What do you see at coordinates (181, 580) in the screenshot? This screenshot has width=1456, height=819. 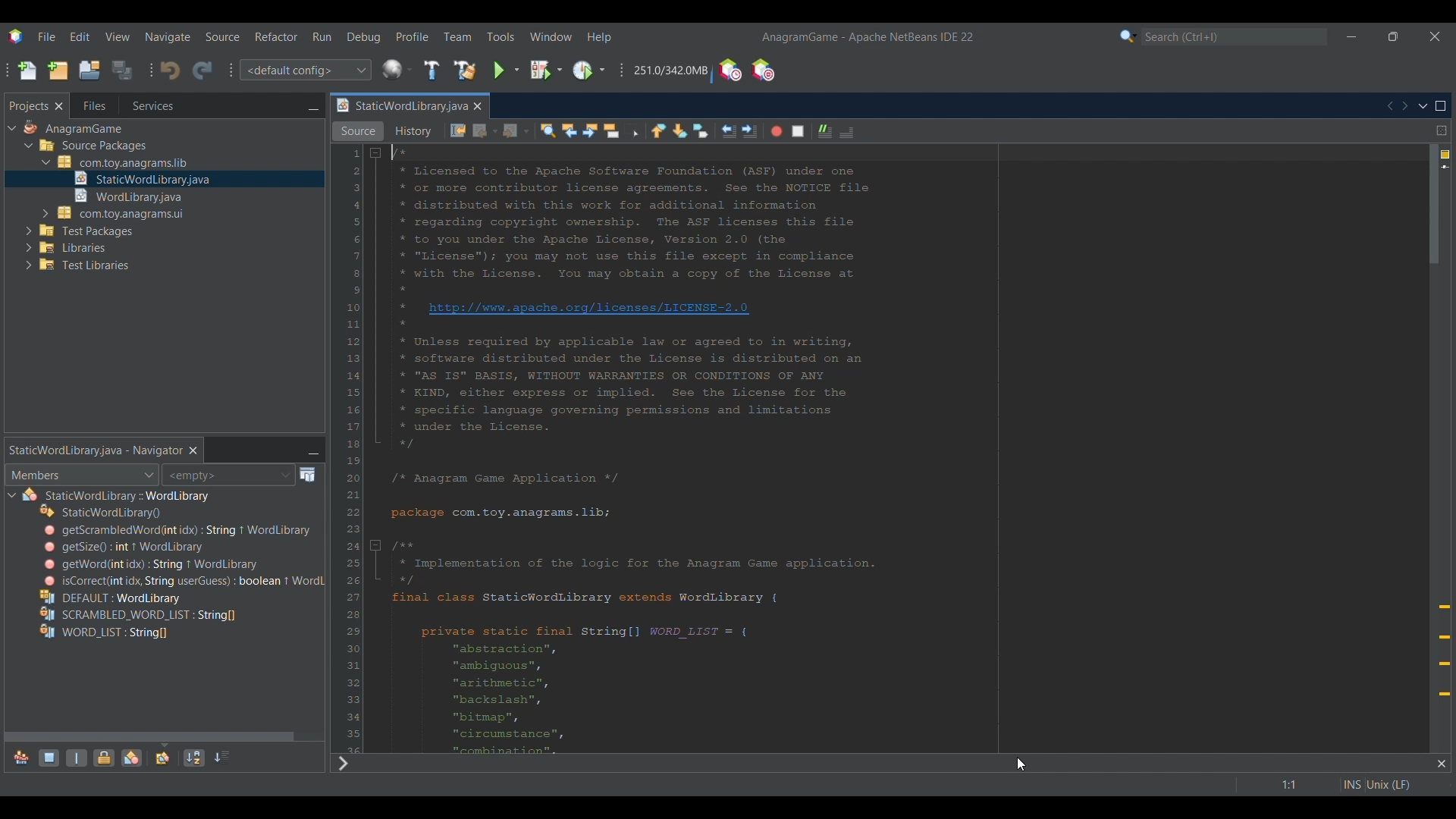 I see `` at bounding box center [181, 580].